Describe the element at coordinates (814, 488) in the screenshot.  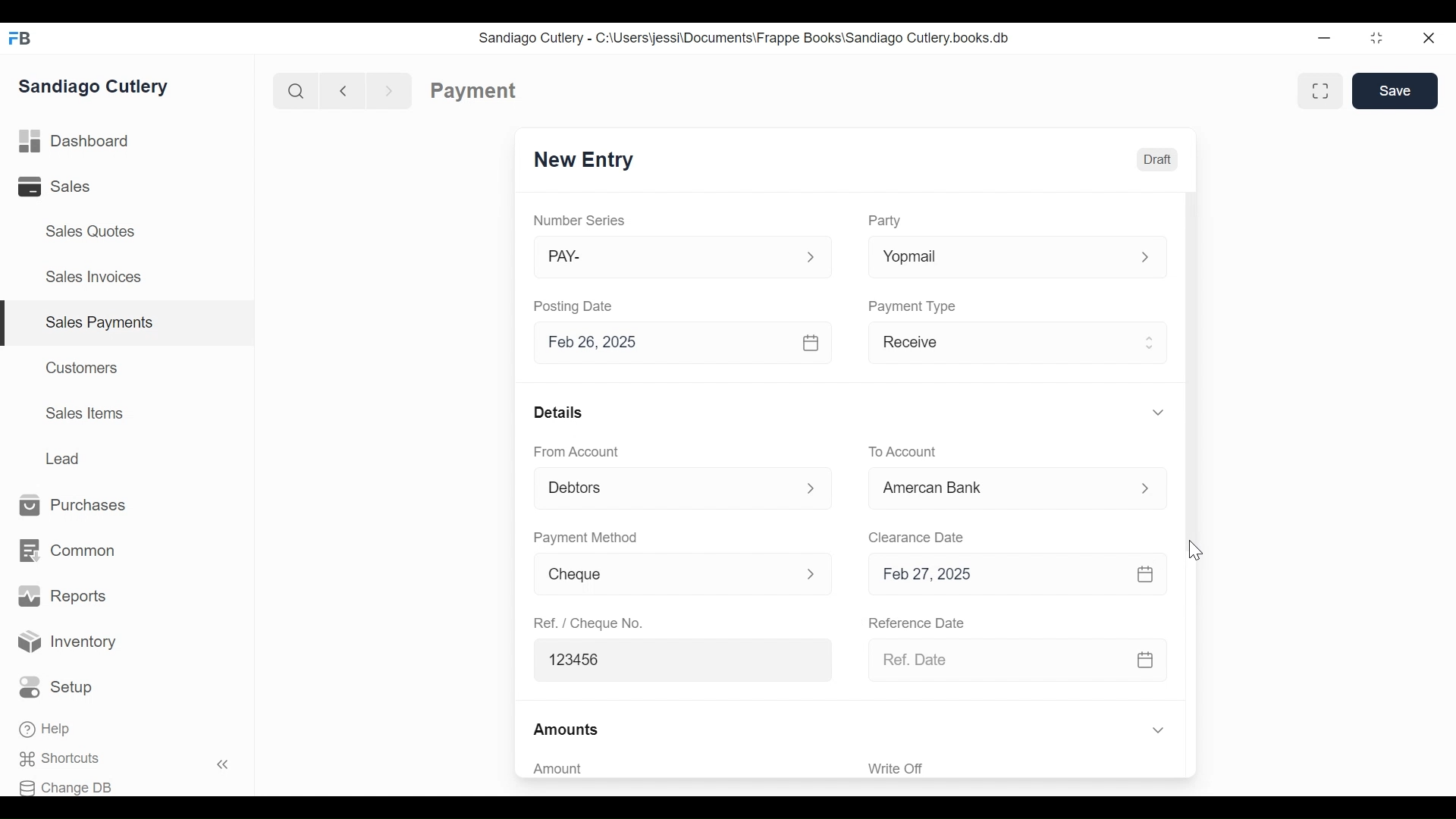
I see `Expand` at that location.